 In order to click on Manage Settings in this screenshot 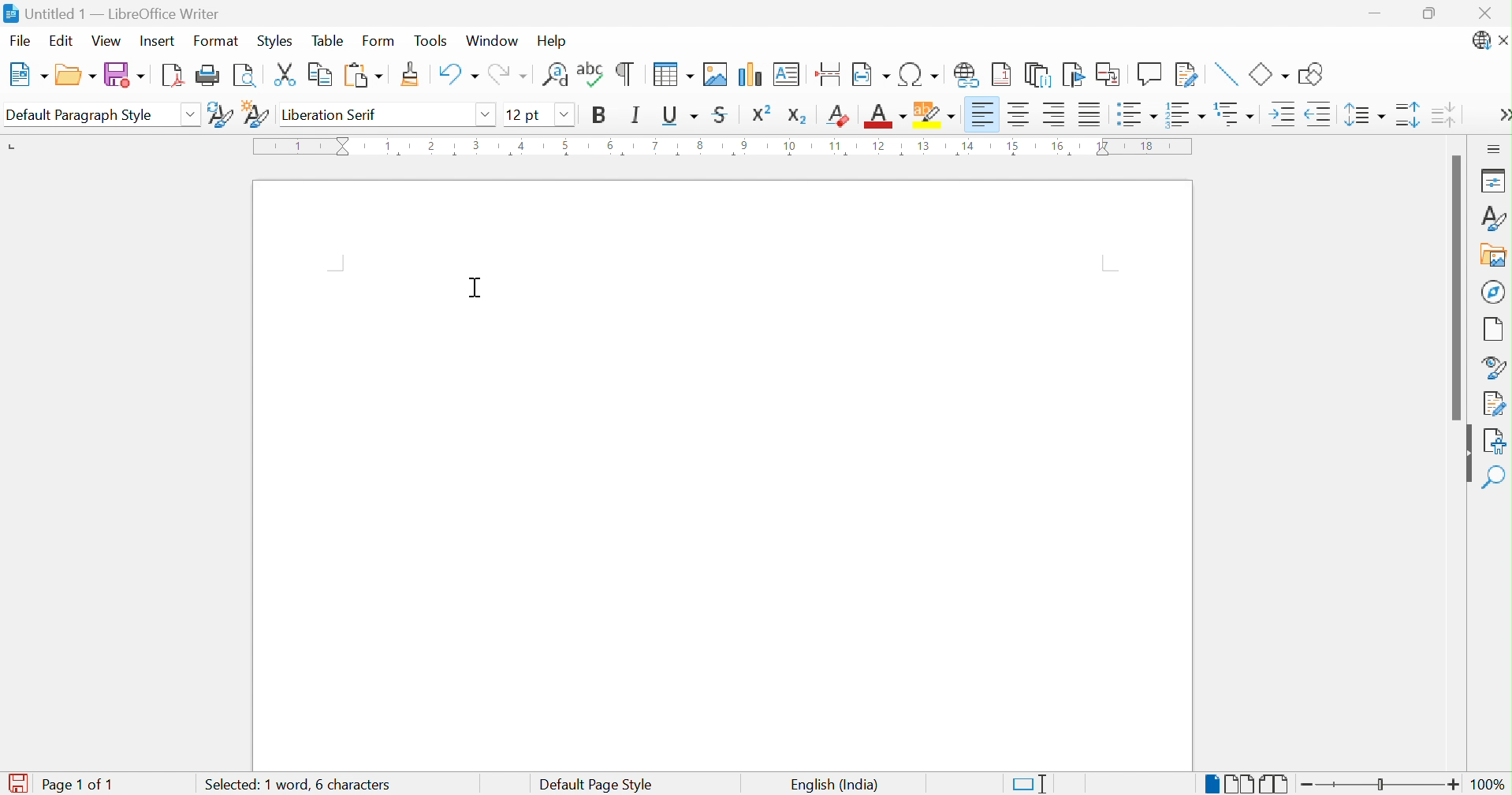, I will do `click(1494, 402)`.